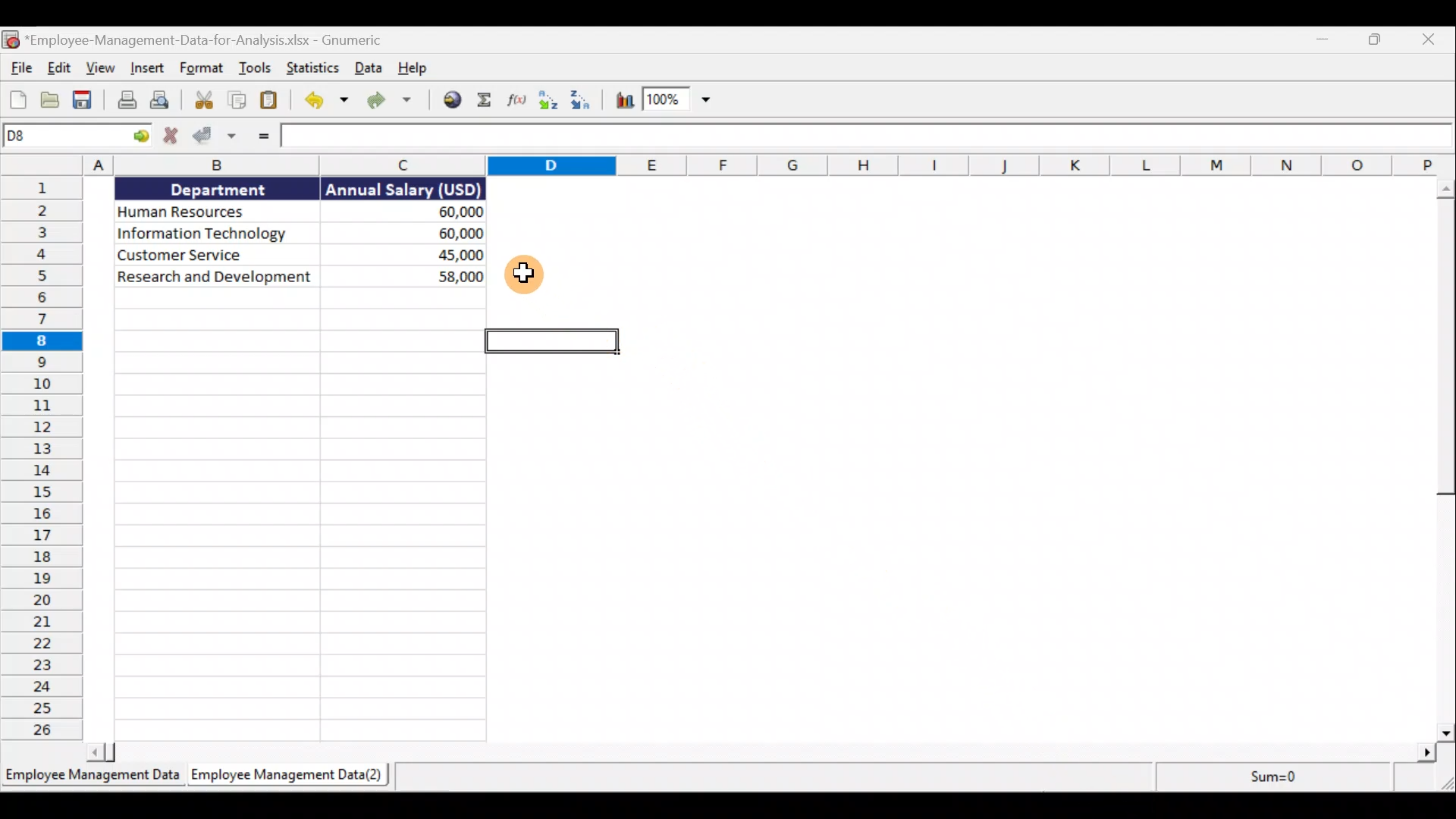  I want to click on Edit a function in the current cell, so click(517, 102).